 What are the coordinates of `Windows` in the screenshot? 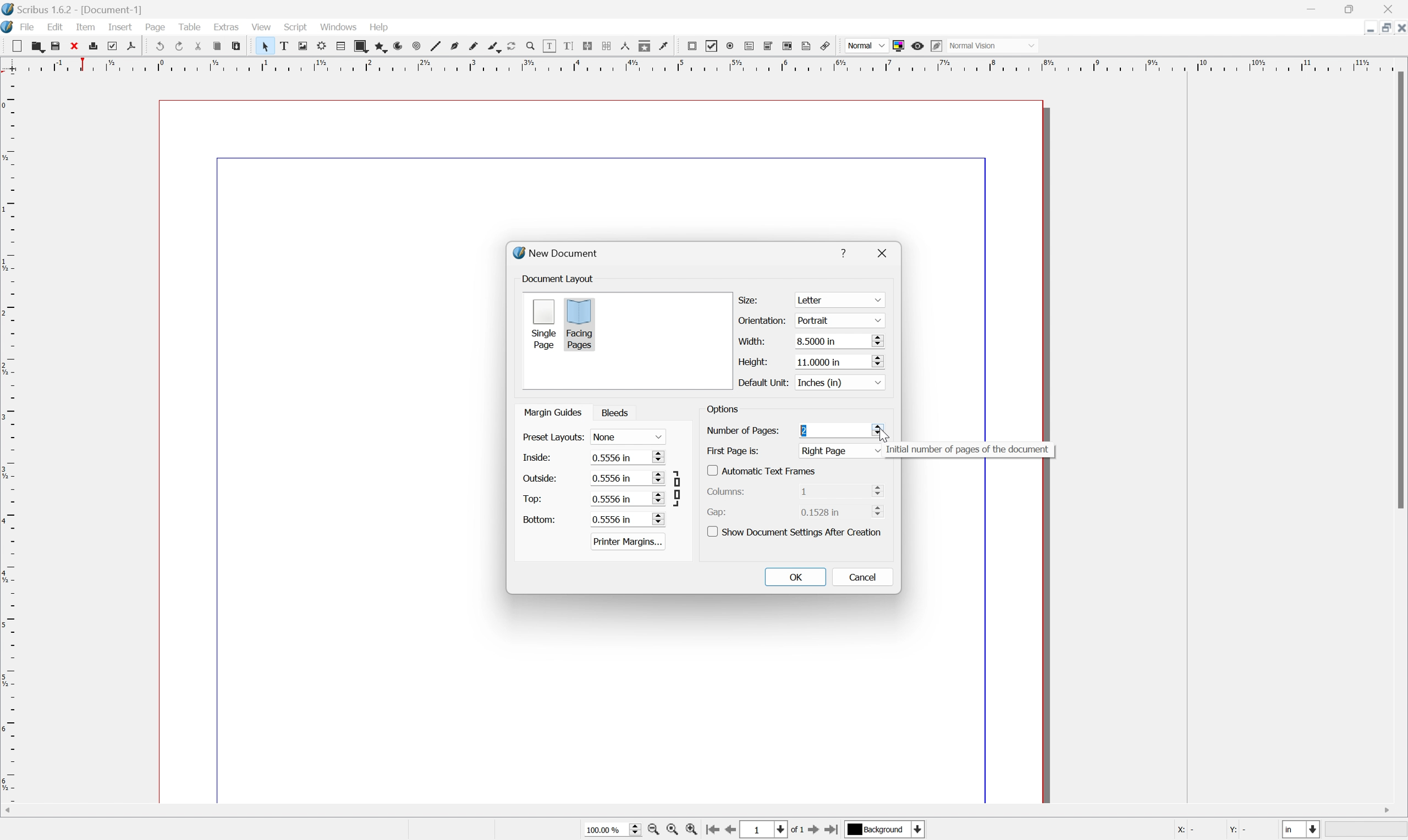 It's located at (339, 28).